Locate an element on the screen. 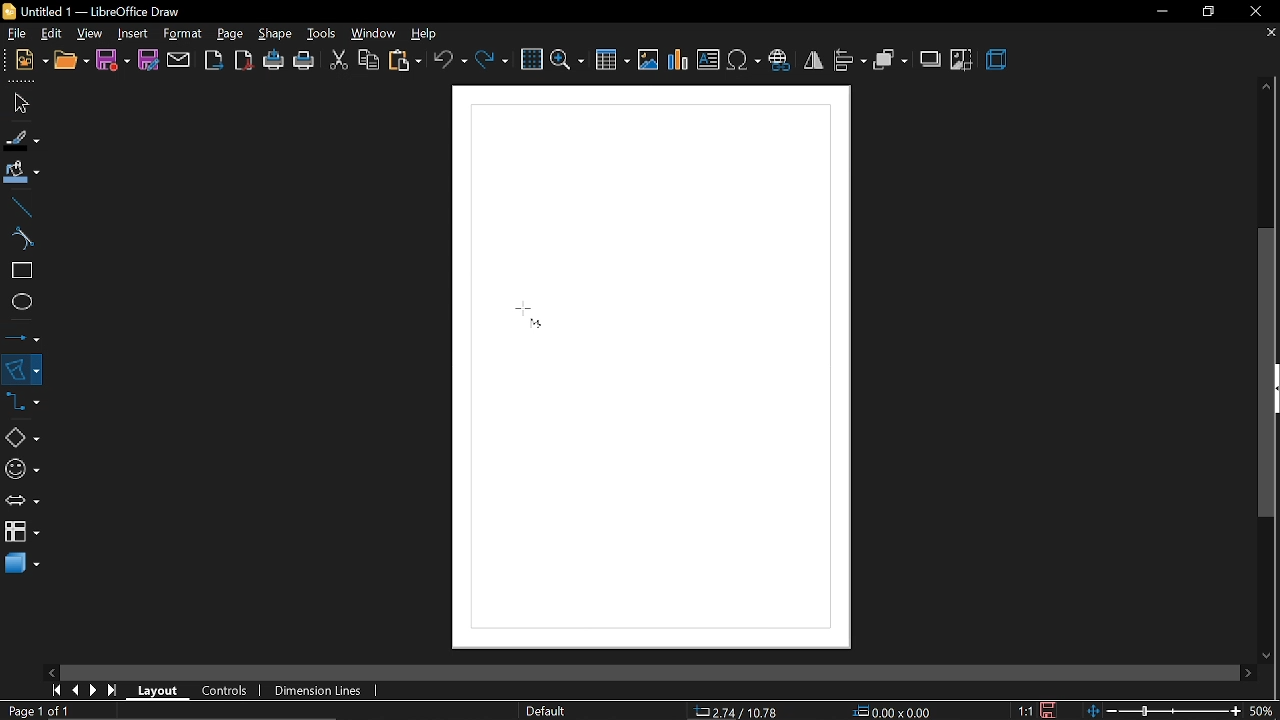 The height and width of the screenshot is (720, 1280). insert hyperlink is located at coordinates (782, 58).